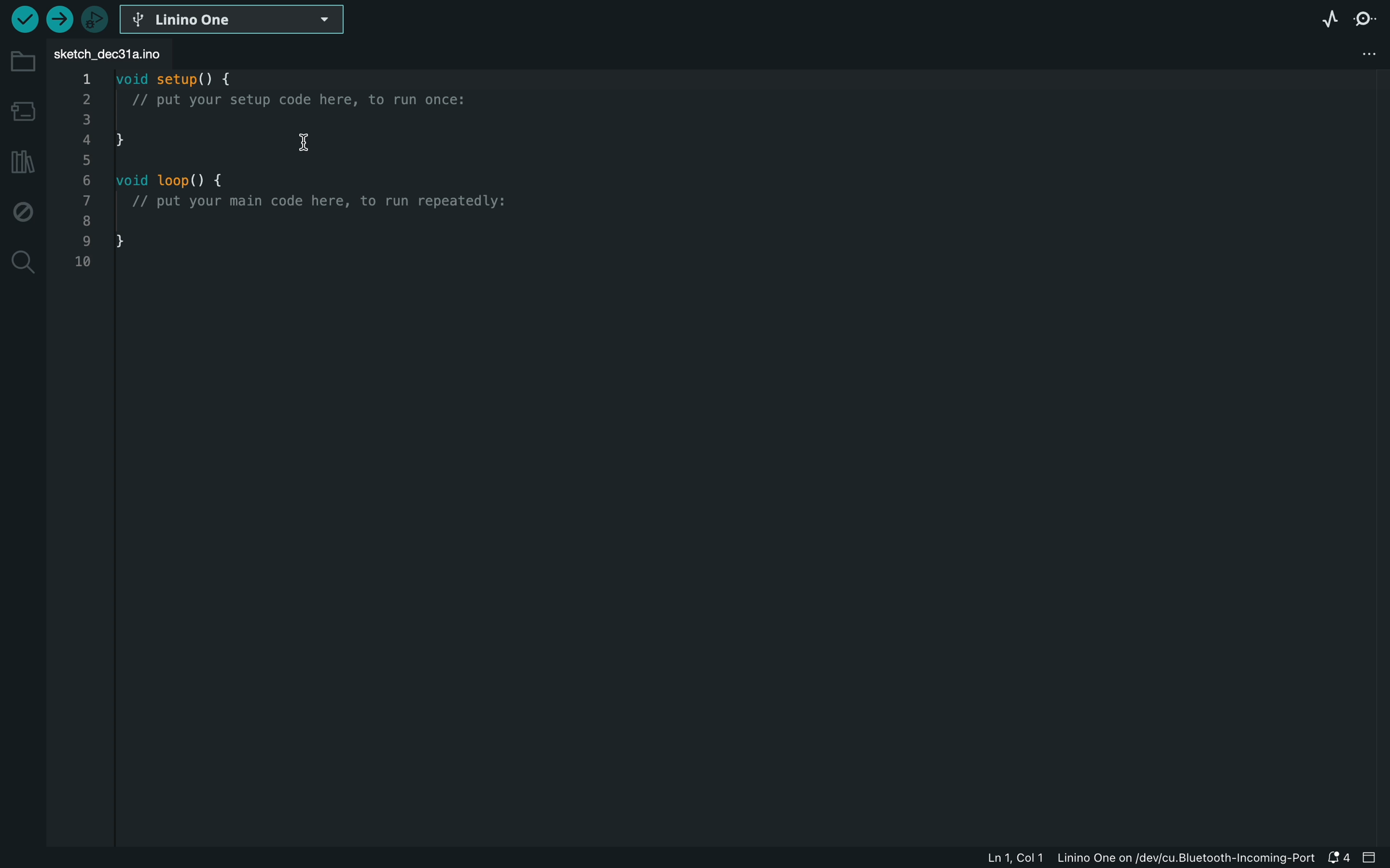  Describe the element at coordinates (22, 164) in the screenshot. I see `library manager` at that location.